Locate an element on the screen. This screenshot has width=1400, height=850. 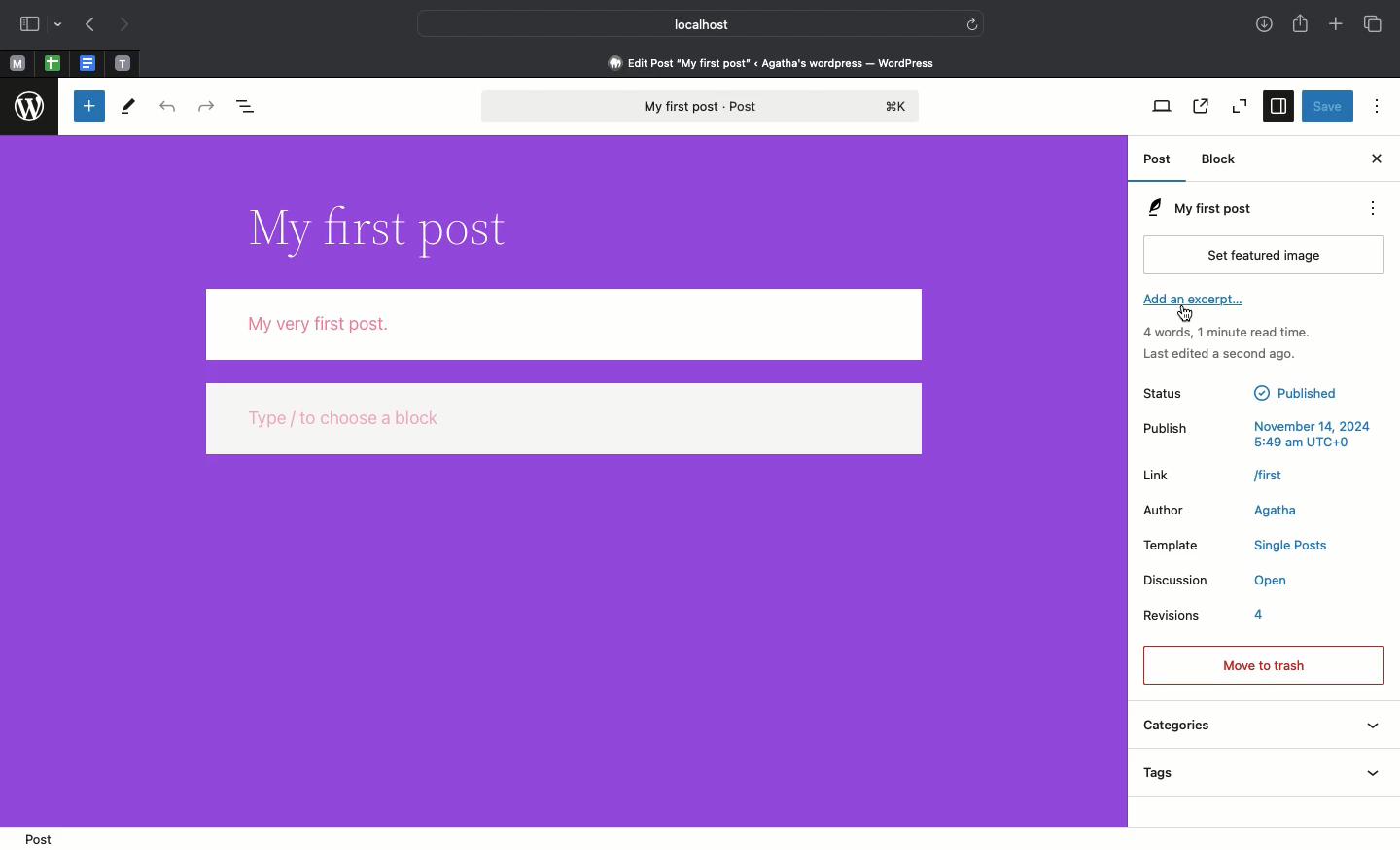
Status is located at coordinates (1243, 392).